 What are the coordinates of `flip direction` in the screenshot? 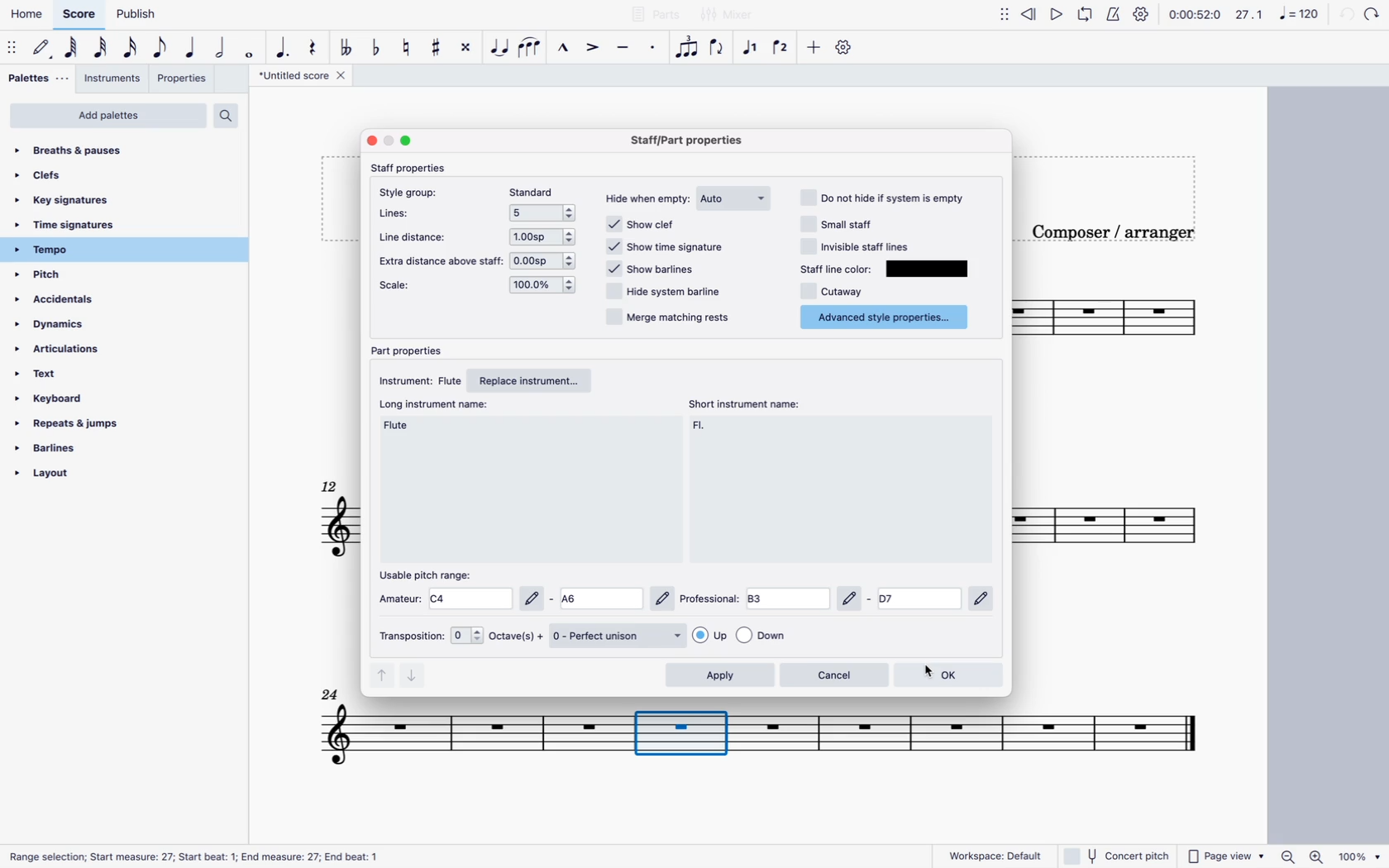 It's located at (719, 48).